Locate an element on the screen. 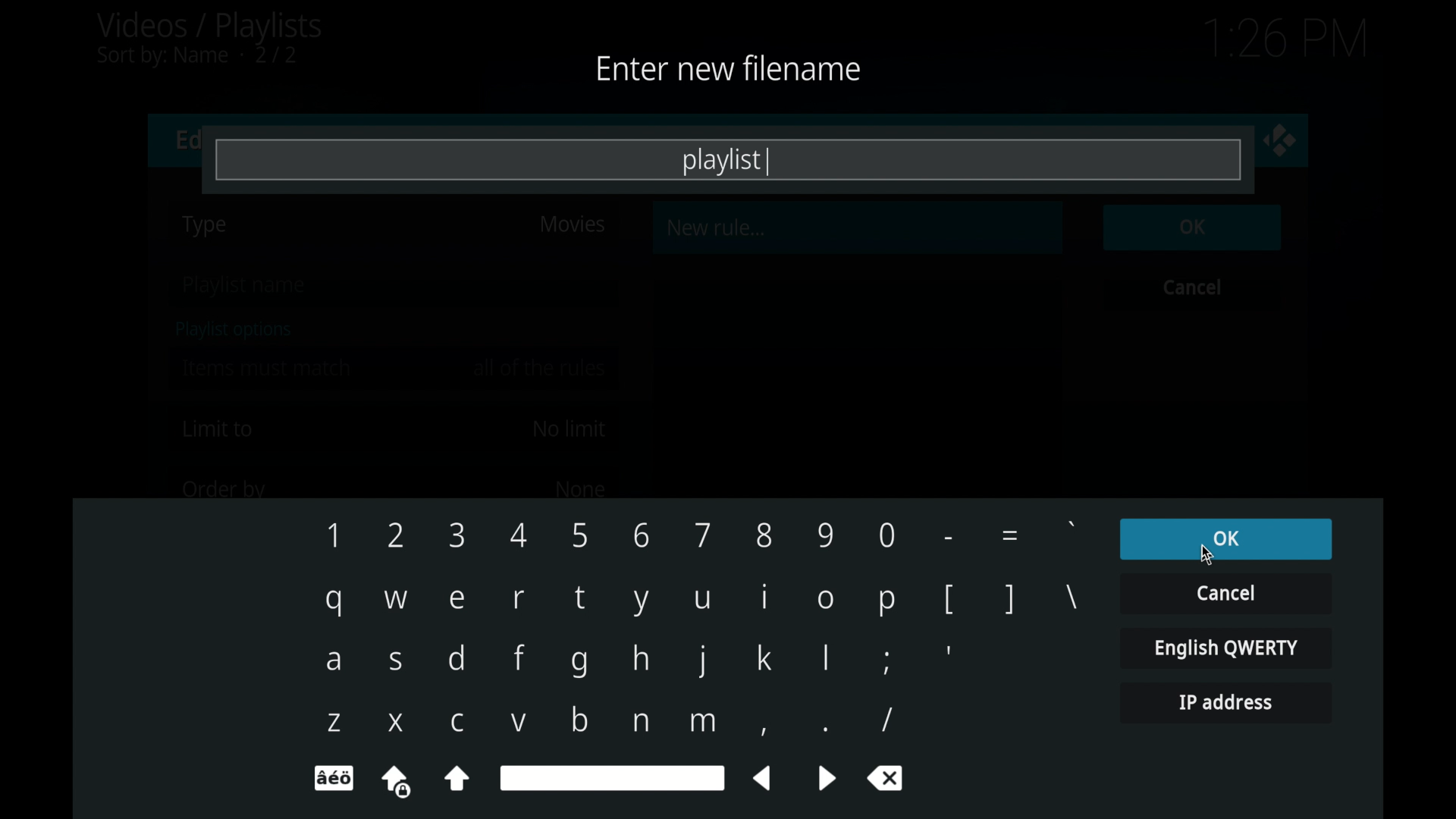  order by is located at coordinates (224, 491).